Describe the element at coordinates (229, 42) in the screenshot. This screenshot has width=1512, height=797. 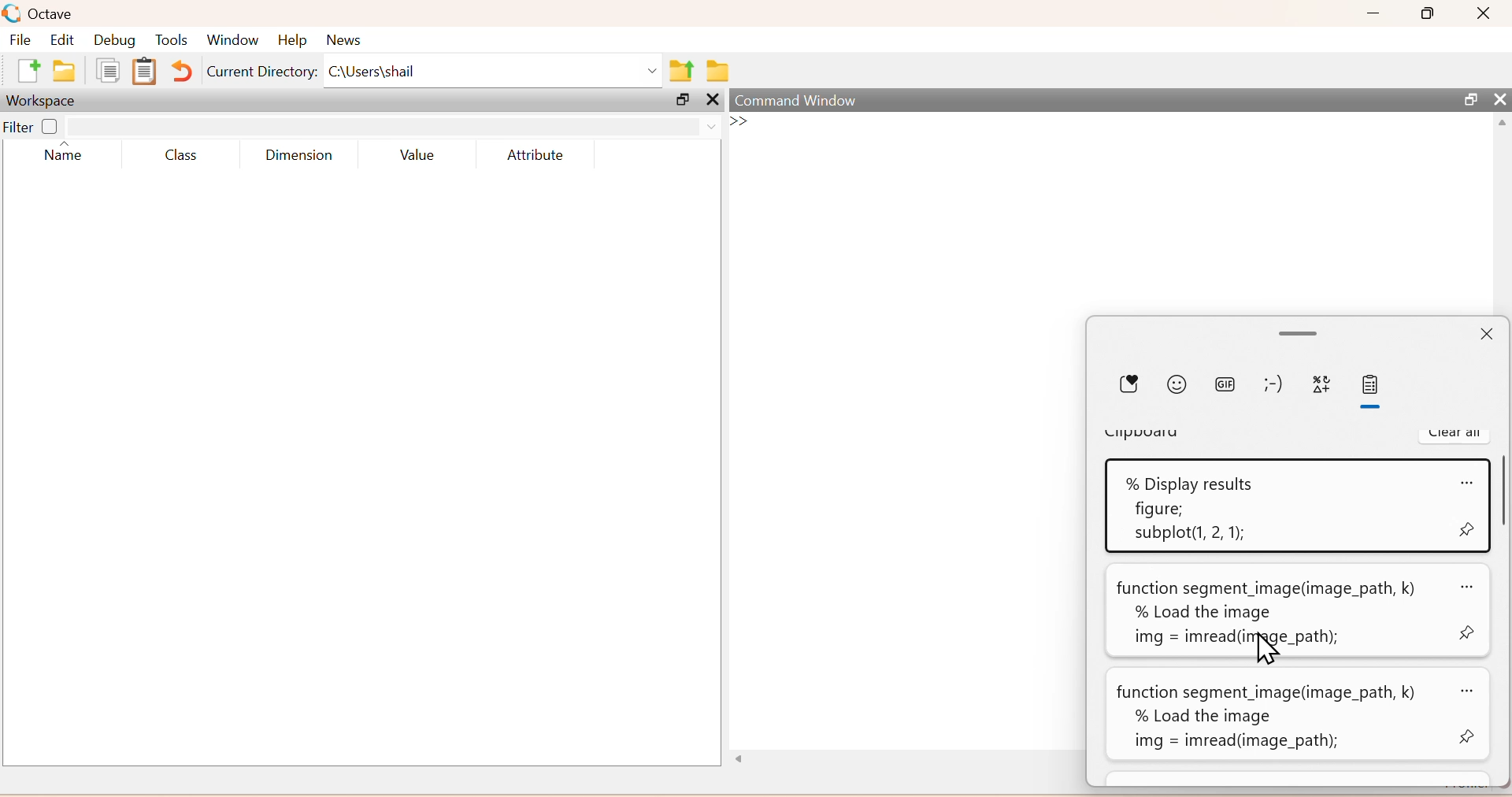
I see `Window` at that location.